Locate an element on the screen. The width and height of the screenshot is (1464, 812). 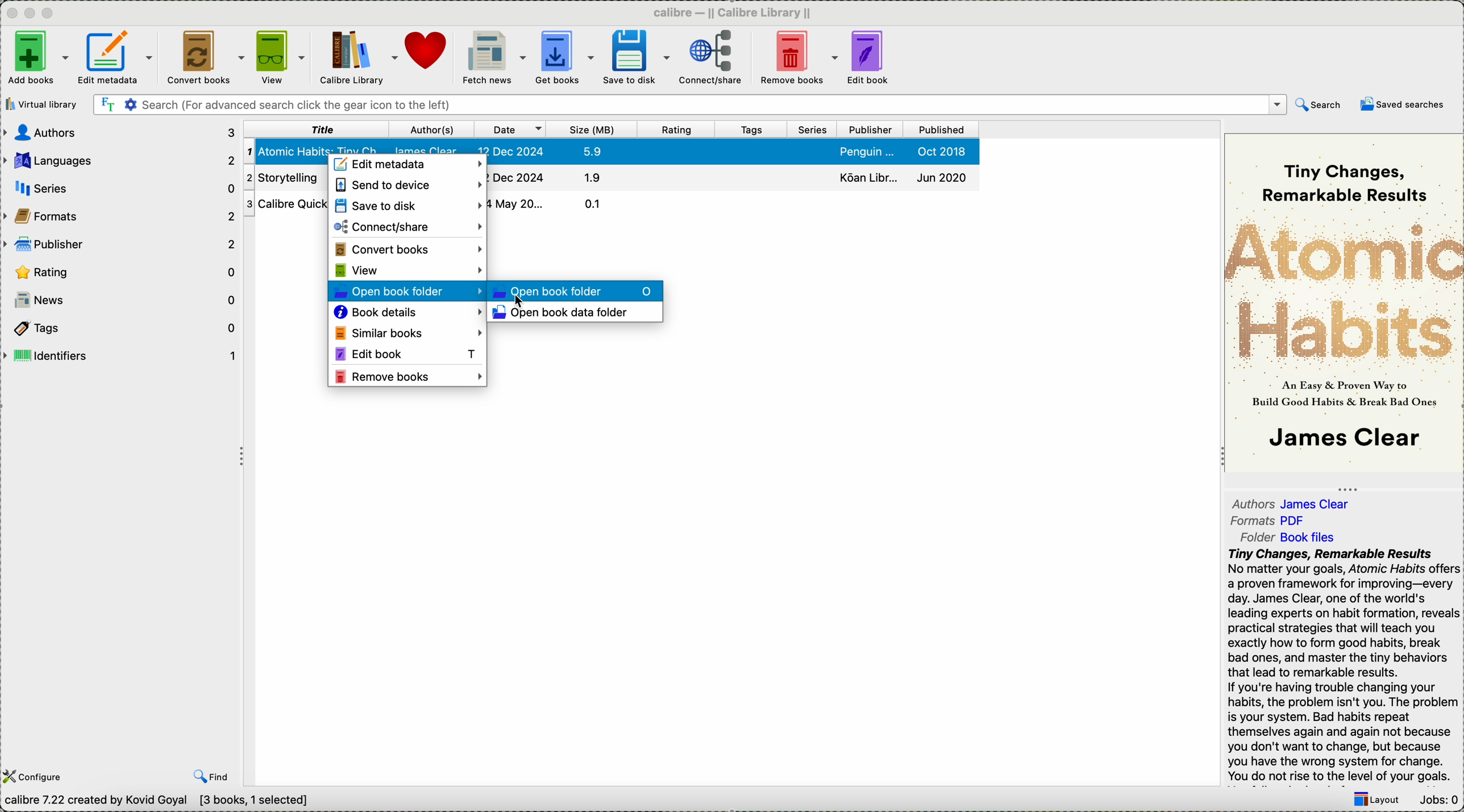
details is located at coordinates (734, 176).